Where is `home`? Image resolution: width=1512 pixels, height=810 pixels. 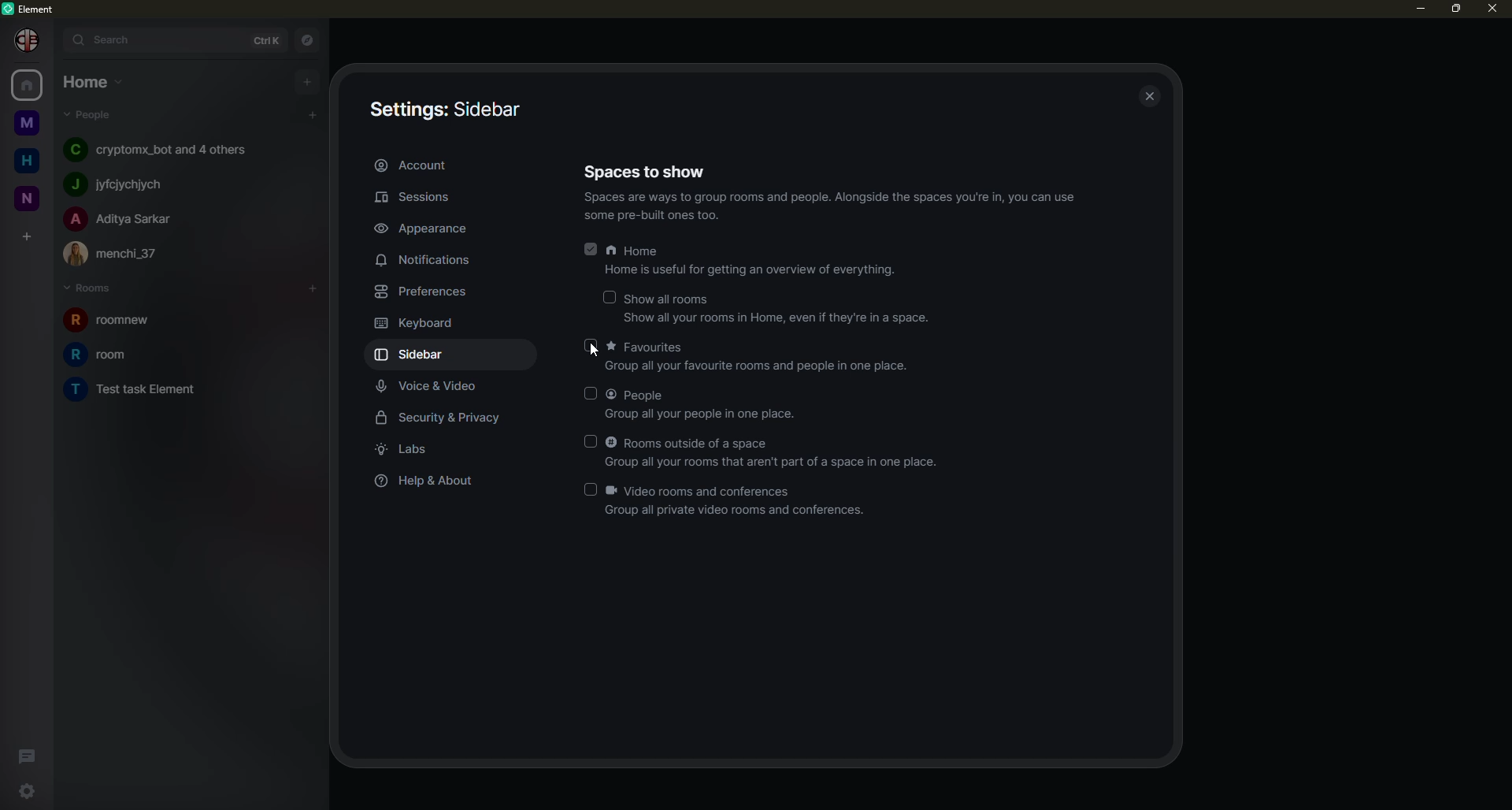
home is located at coordinates (29, 84).